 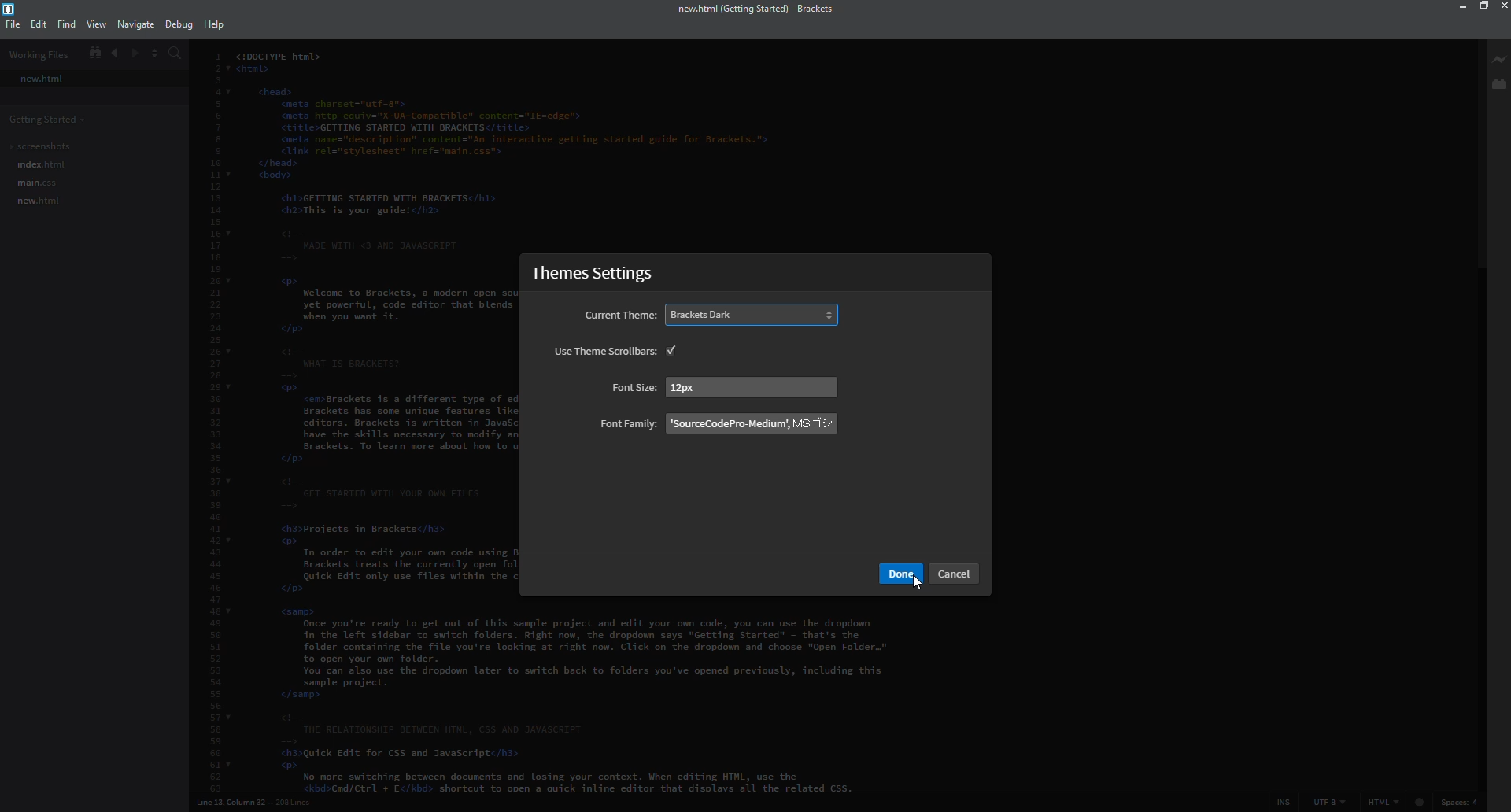 I want to click on navigate, so click(x=135, y=24).